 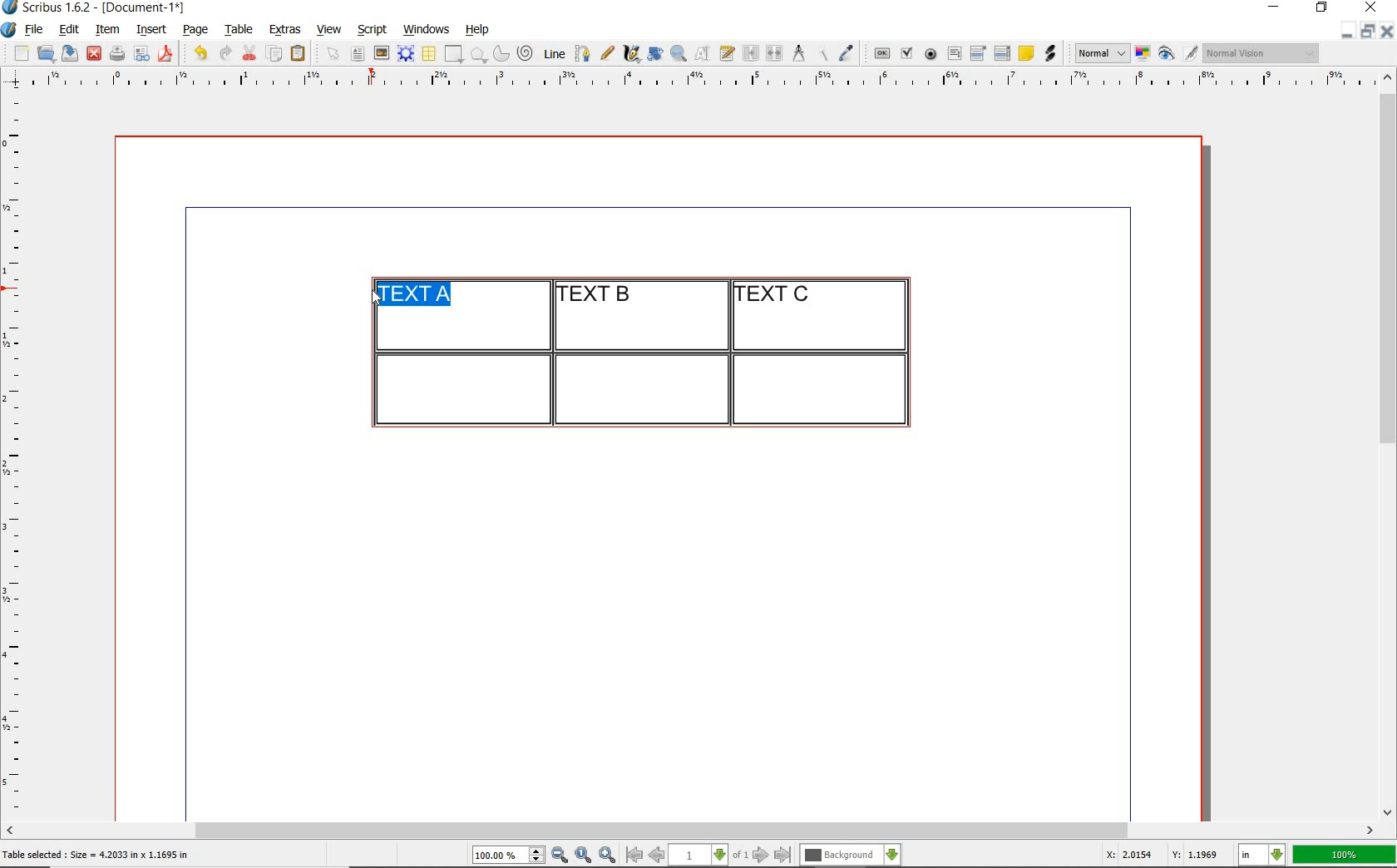 What do you see at coordinates (36, 30) in the screenshot?
I see `file` at bounding box center [36, 30].